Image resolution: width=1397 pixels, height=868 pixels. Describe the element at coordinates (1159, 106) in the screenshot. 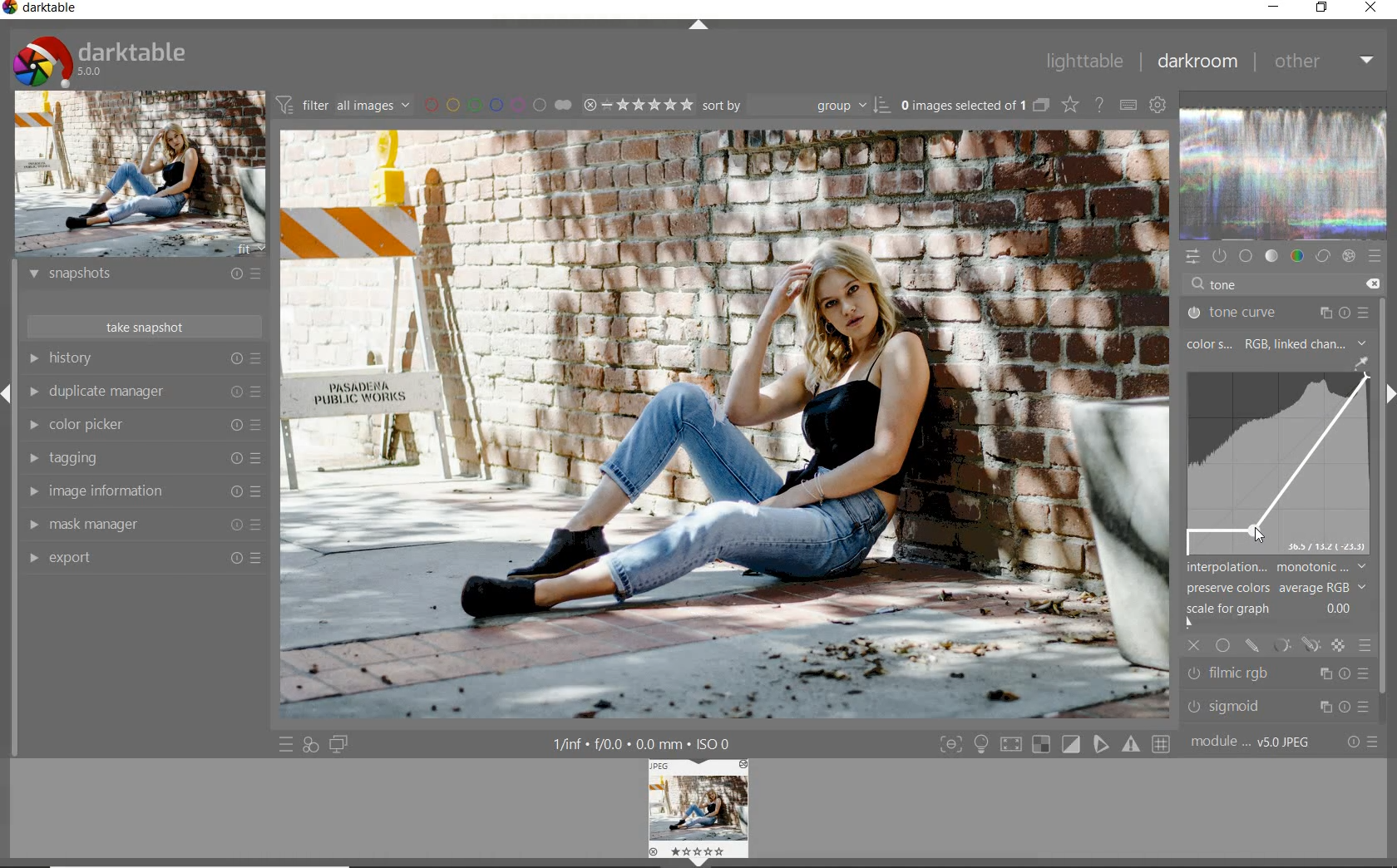

I see `show global preferences` at that location.